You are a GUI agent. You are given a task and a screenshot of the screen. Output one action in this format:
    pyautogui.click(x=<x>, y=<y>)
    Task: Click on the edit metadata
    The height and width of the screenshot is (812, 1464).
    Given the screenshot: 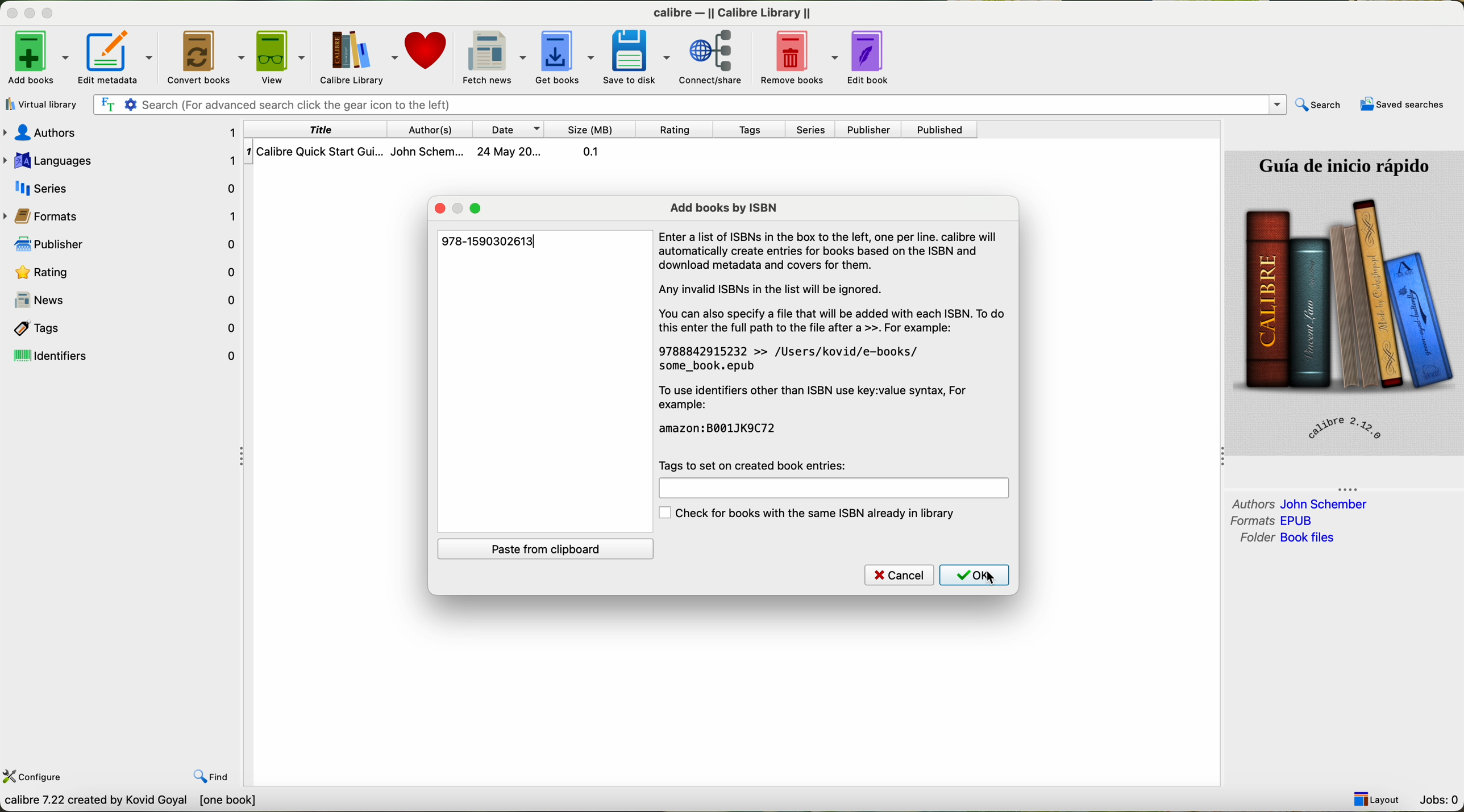 What is the action you would take?
    pyautogui.click(x=120, y=55)
    